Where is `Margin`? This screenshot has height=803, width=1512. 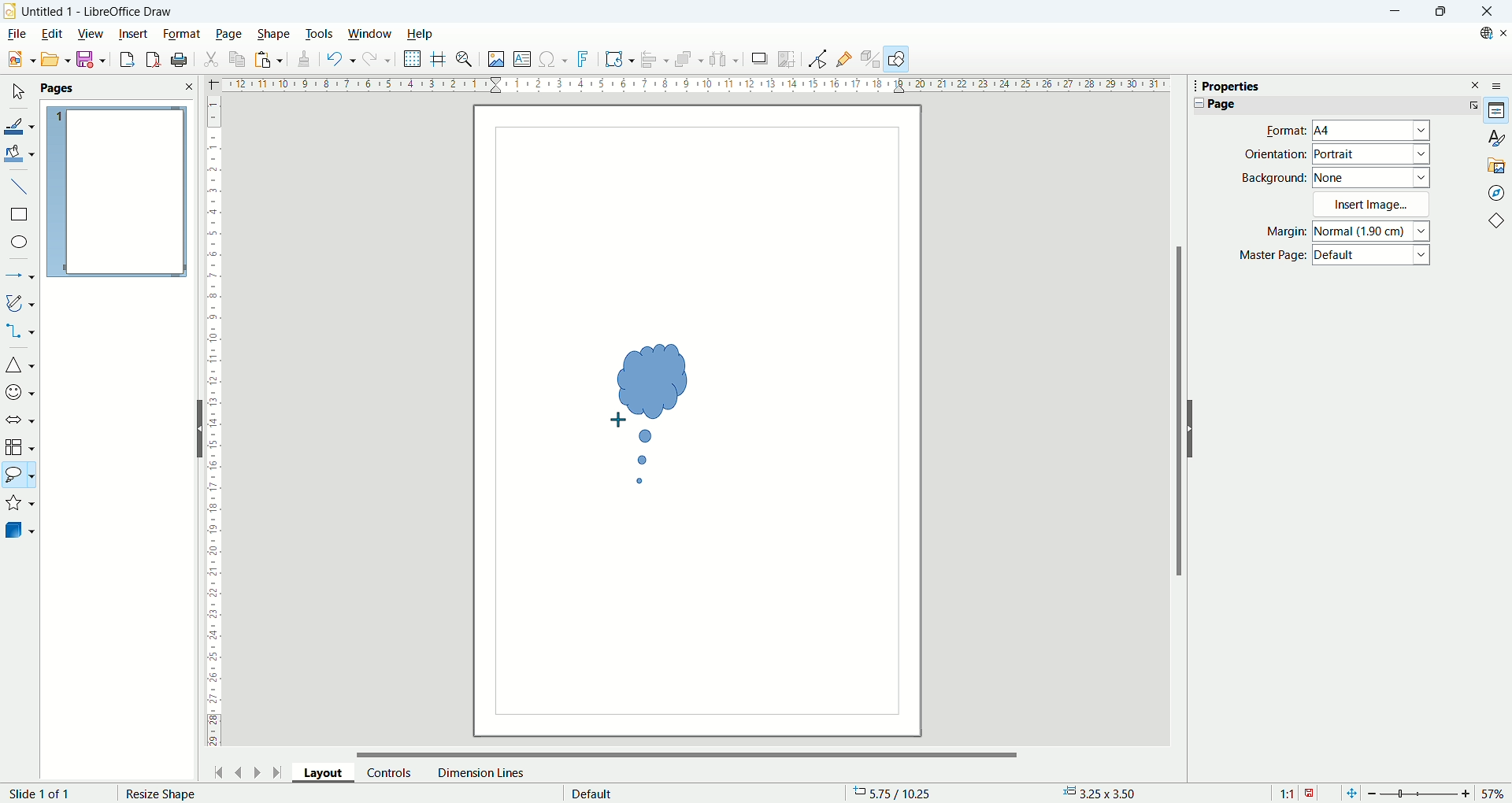 Margin is located at coordinates (1281, 233).